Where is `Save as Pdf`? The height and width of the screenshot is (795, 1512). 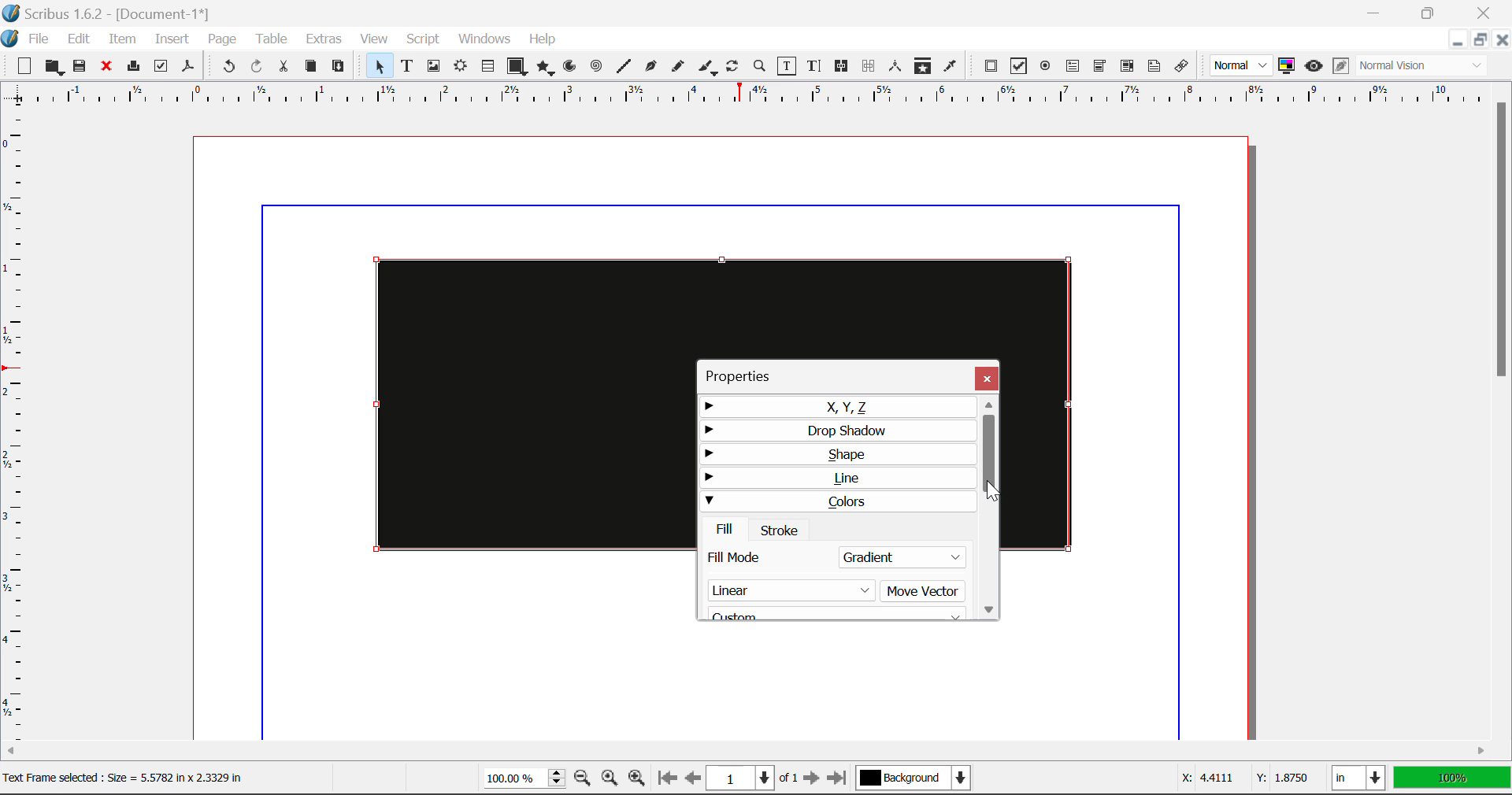
Save as Pdf is located at coordinates (188, 68).